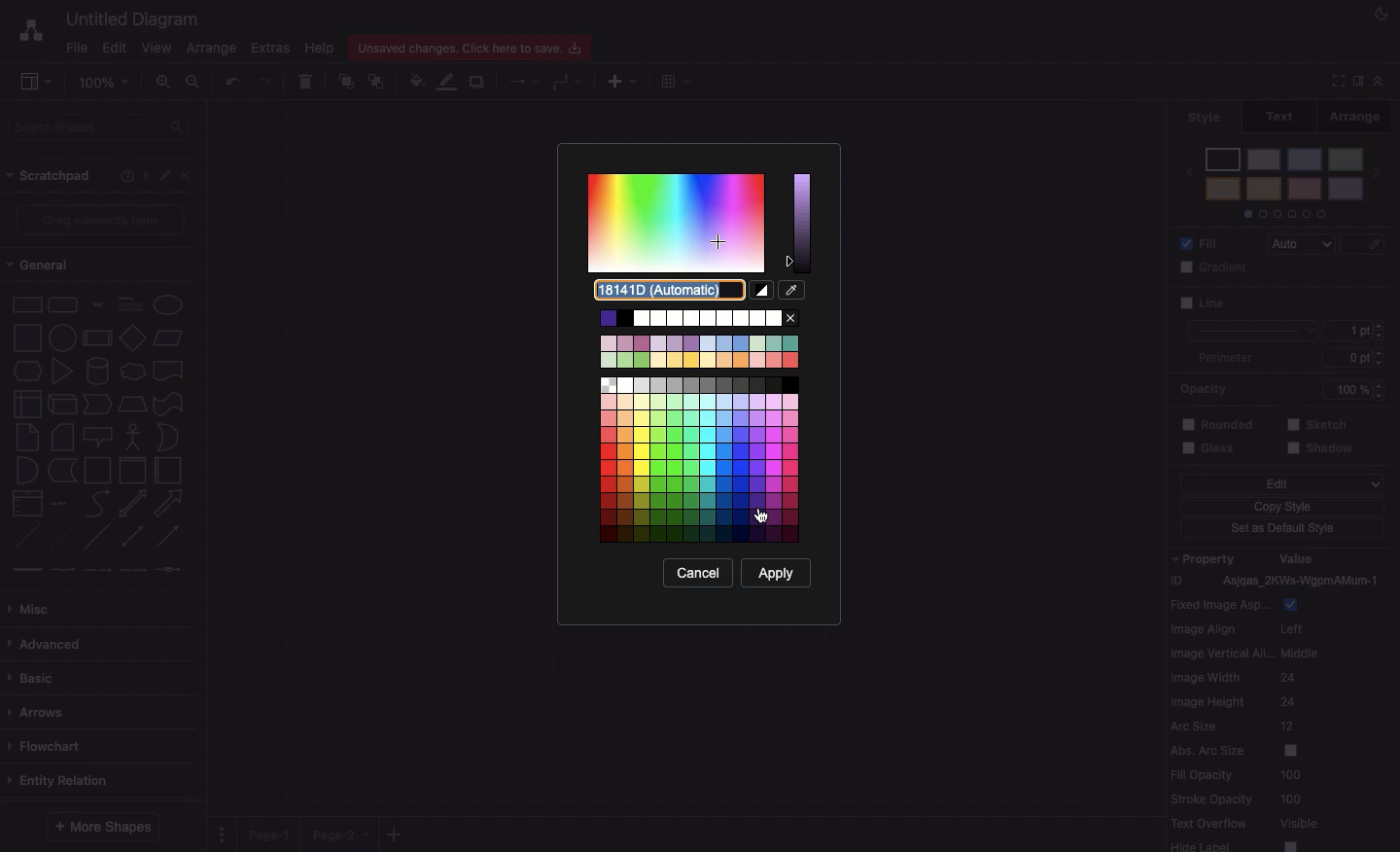 This screenshot has width=1400, height=852. Describe the element at coordinates (108, 81) in the screenshot. I see `Zoom` at that location.